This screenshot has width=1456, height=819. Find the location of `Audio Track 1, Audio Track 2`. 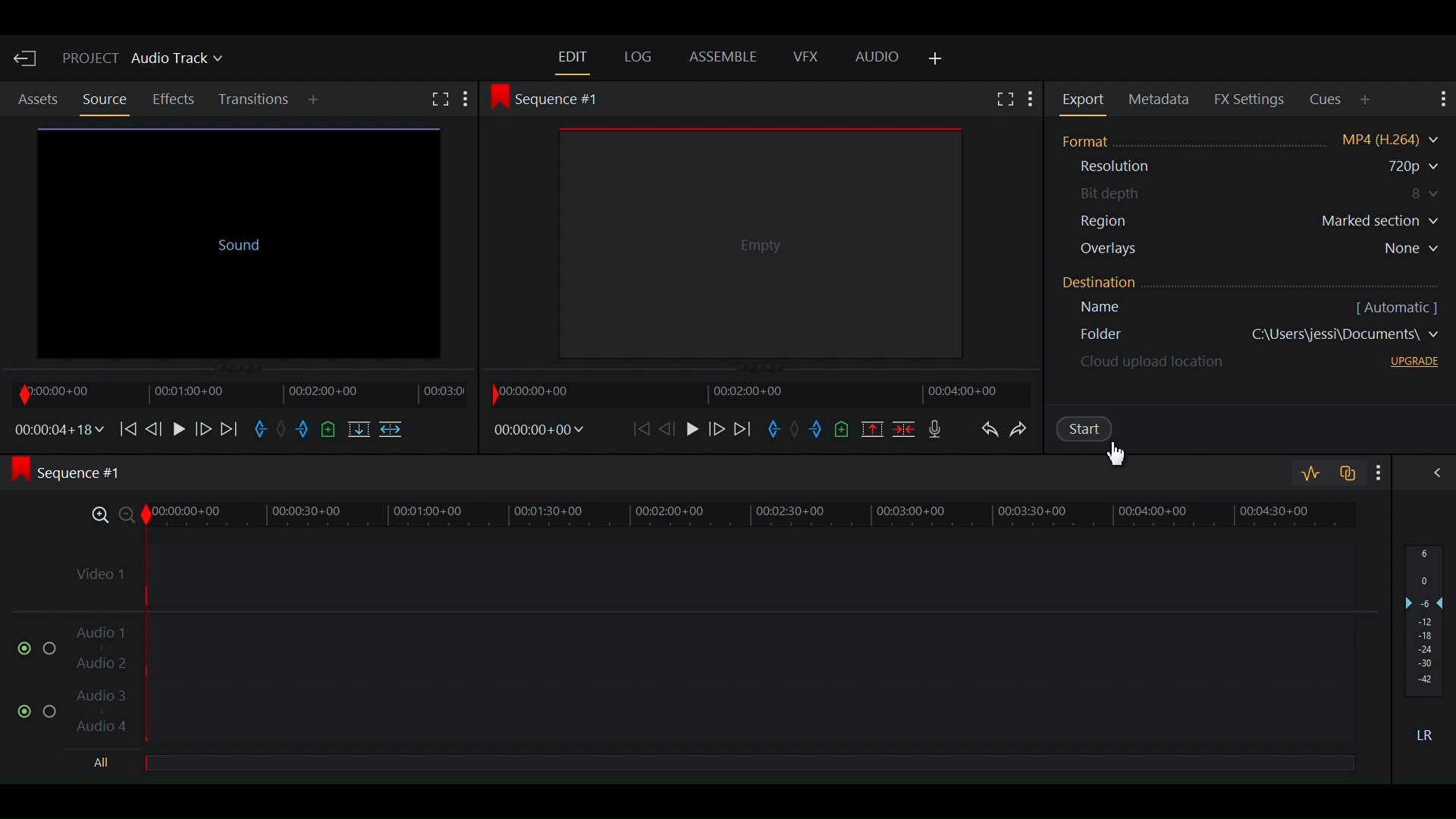

Audio Track 1, Audio Track 2 is located at coordinates (712, 641).